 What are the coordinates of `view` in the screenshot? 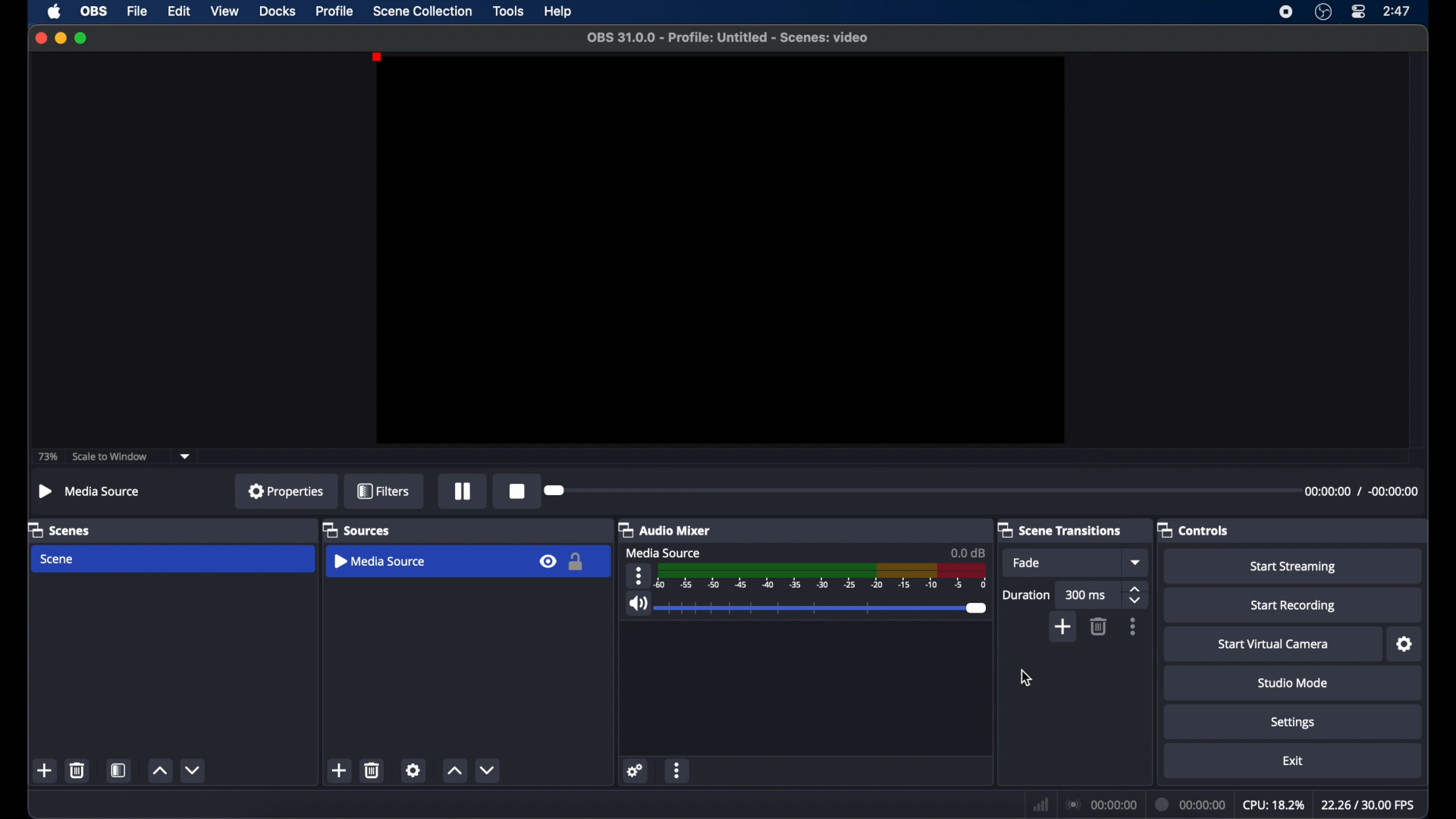 It's located at (226, 11).